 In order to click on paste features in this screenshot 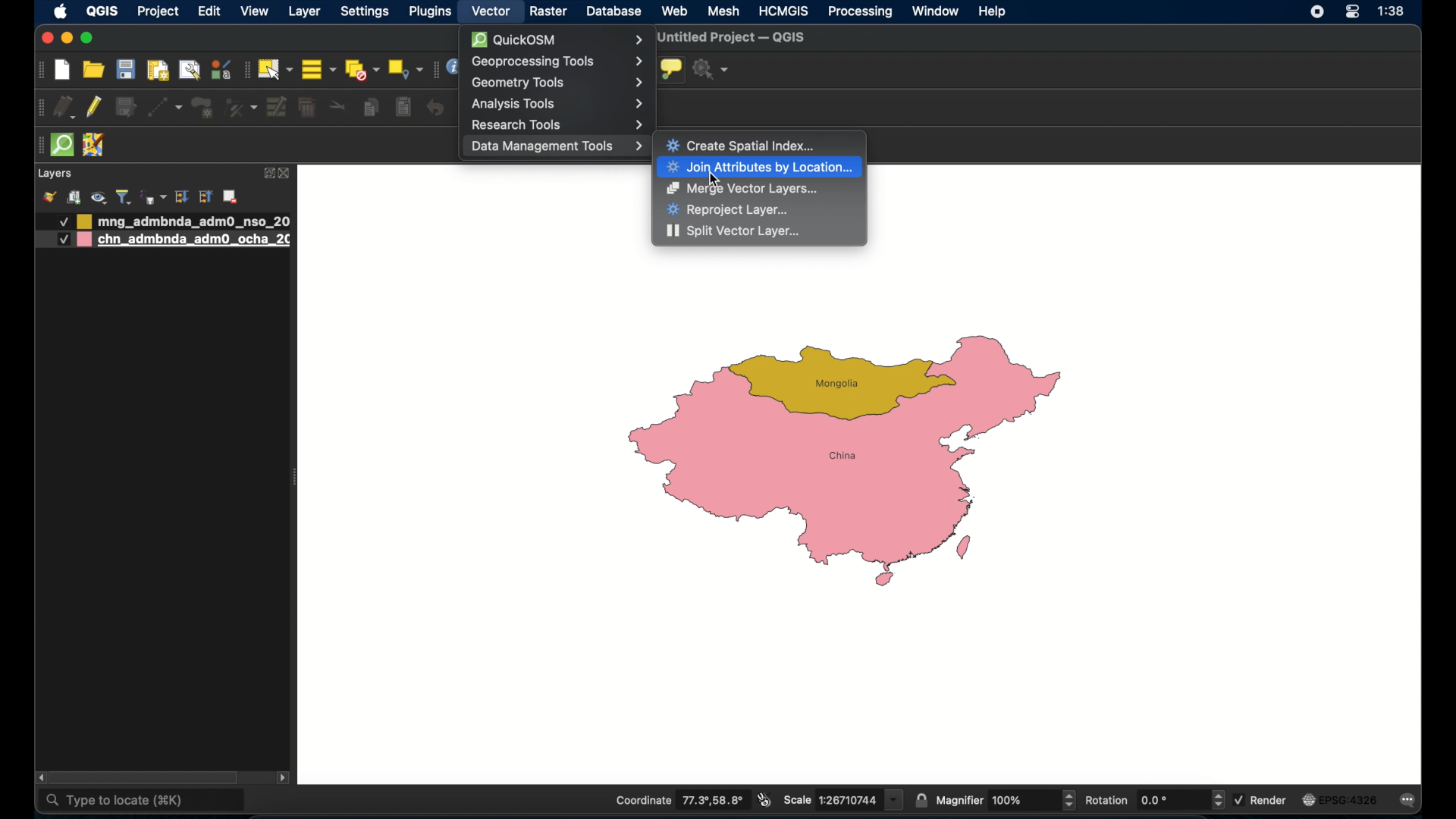, I will do `click(405, 108)`.